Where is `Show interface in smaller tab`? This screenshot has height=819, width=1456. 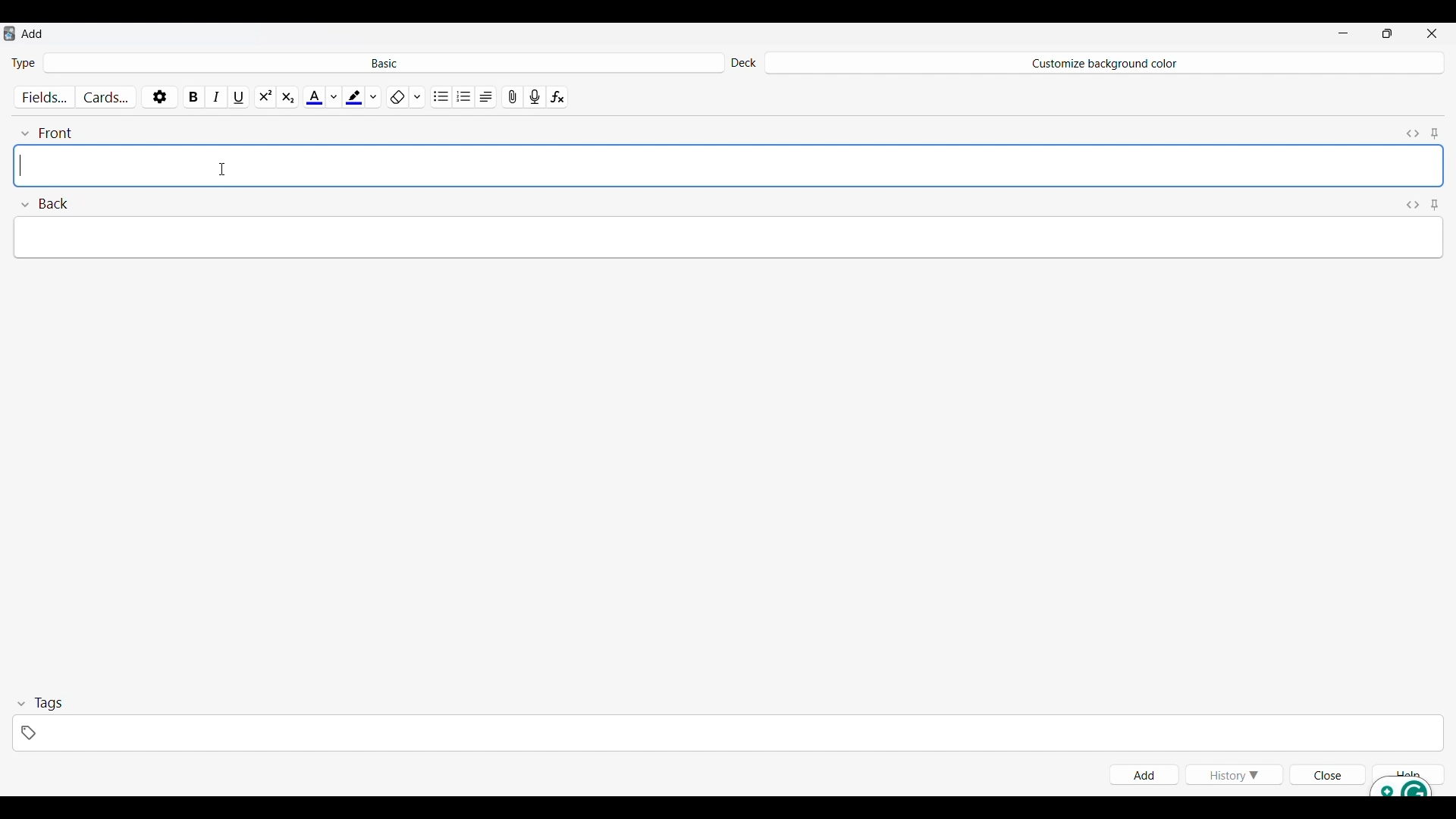 Show interface in smaller tab is located at coordinates (1388, 33).